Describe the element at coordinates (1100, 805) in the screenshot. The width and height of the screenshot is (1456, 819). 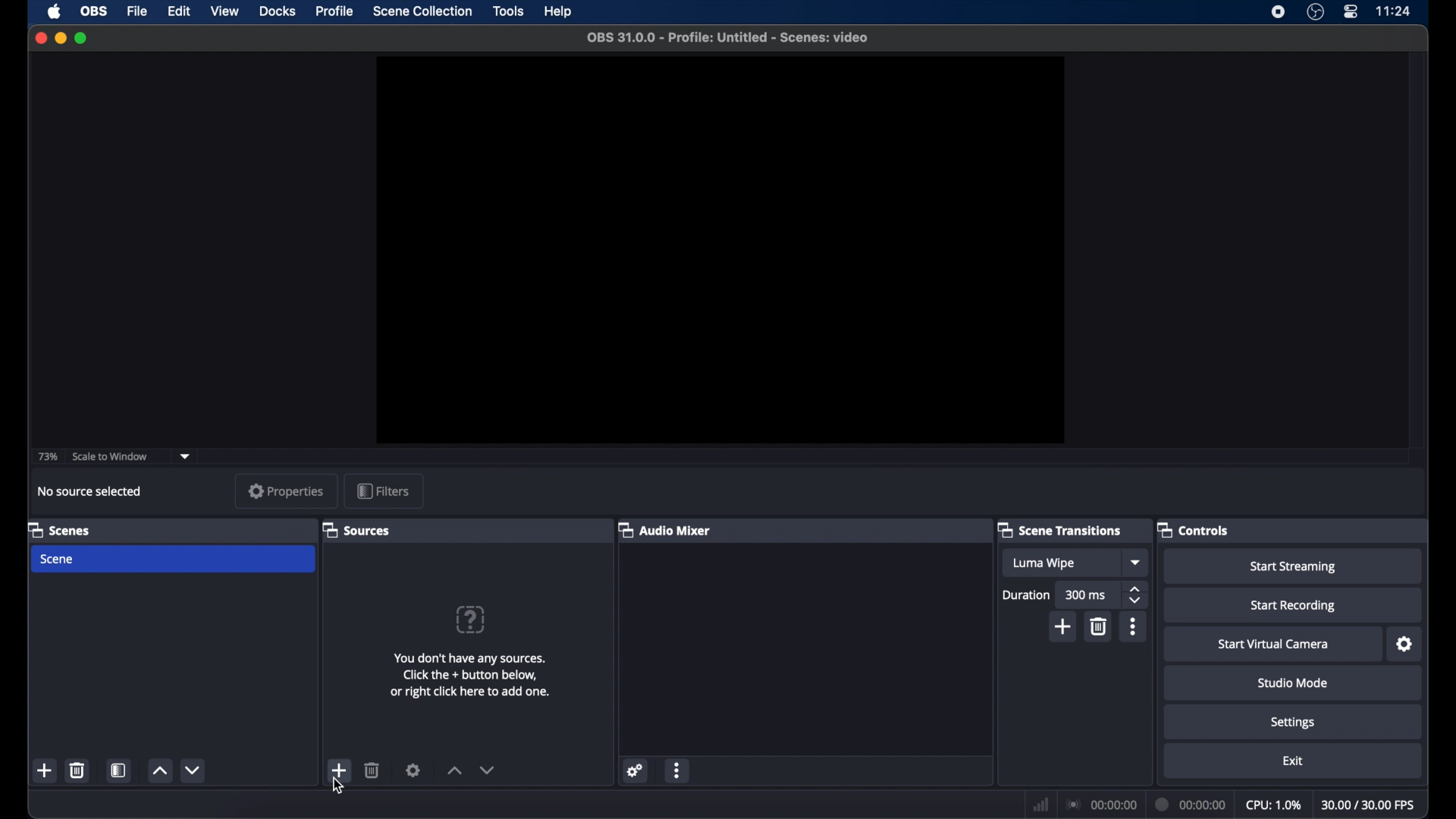
I see `connection` at that location.